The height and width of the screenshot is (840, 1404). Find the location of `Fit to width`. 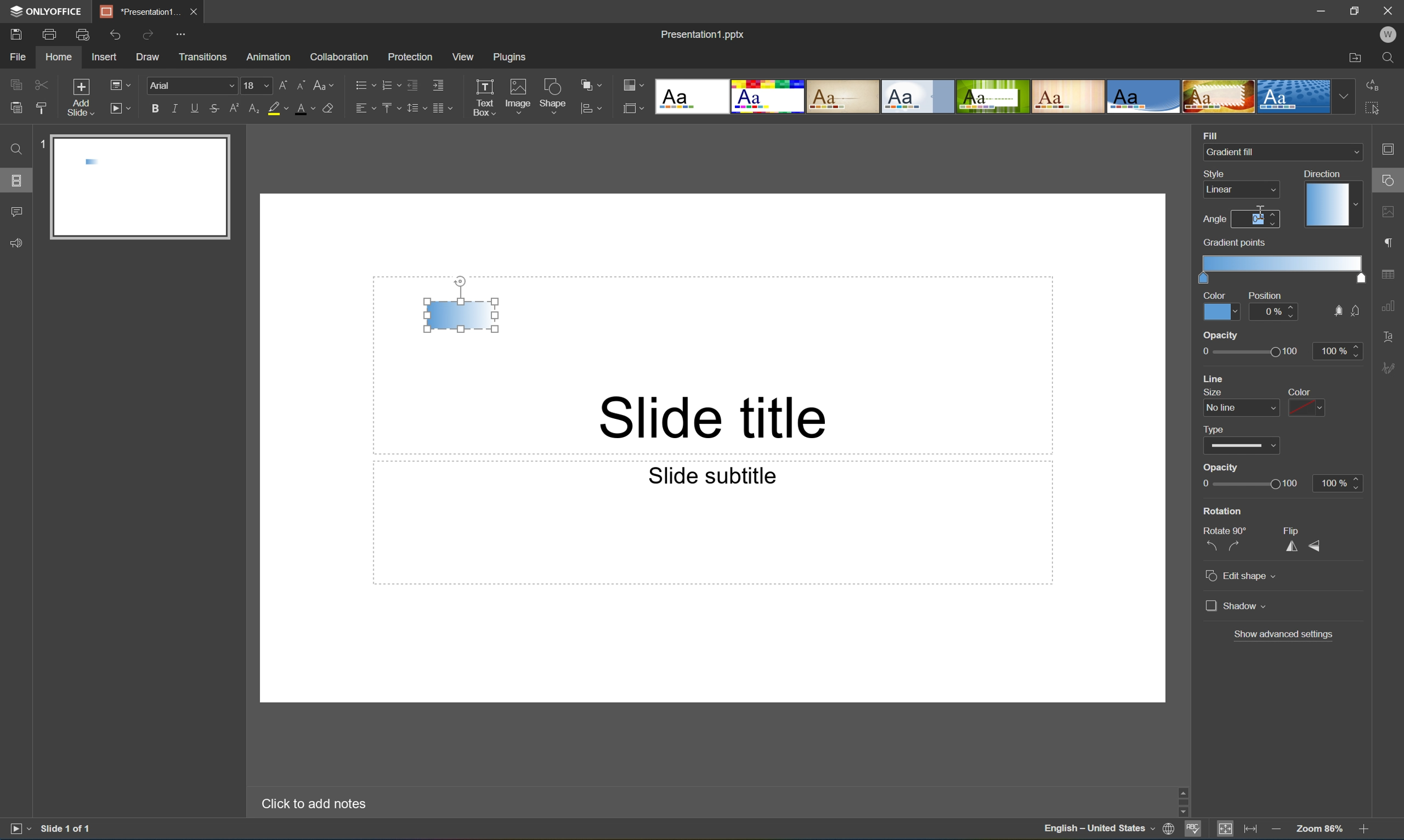

Fit to width is located at coordinates (1251, 830).